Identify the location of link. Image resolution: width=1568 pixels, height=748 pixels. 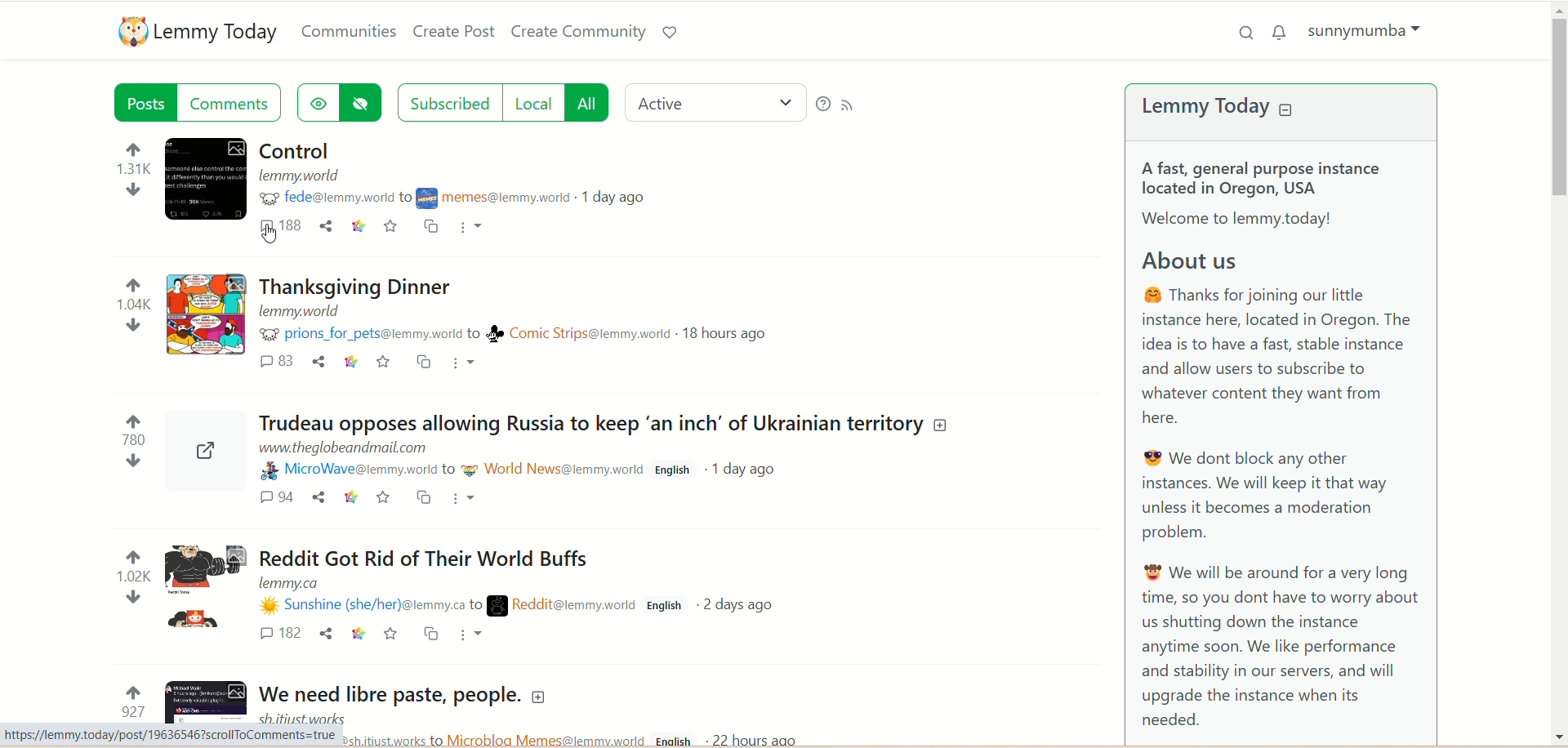
(356, 633).